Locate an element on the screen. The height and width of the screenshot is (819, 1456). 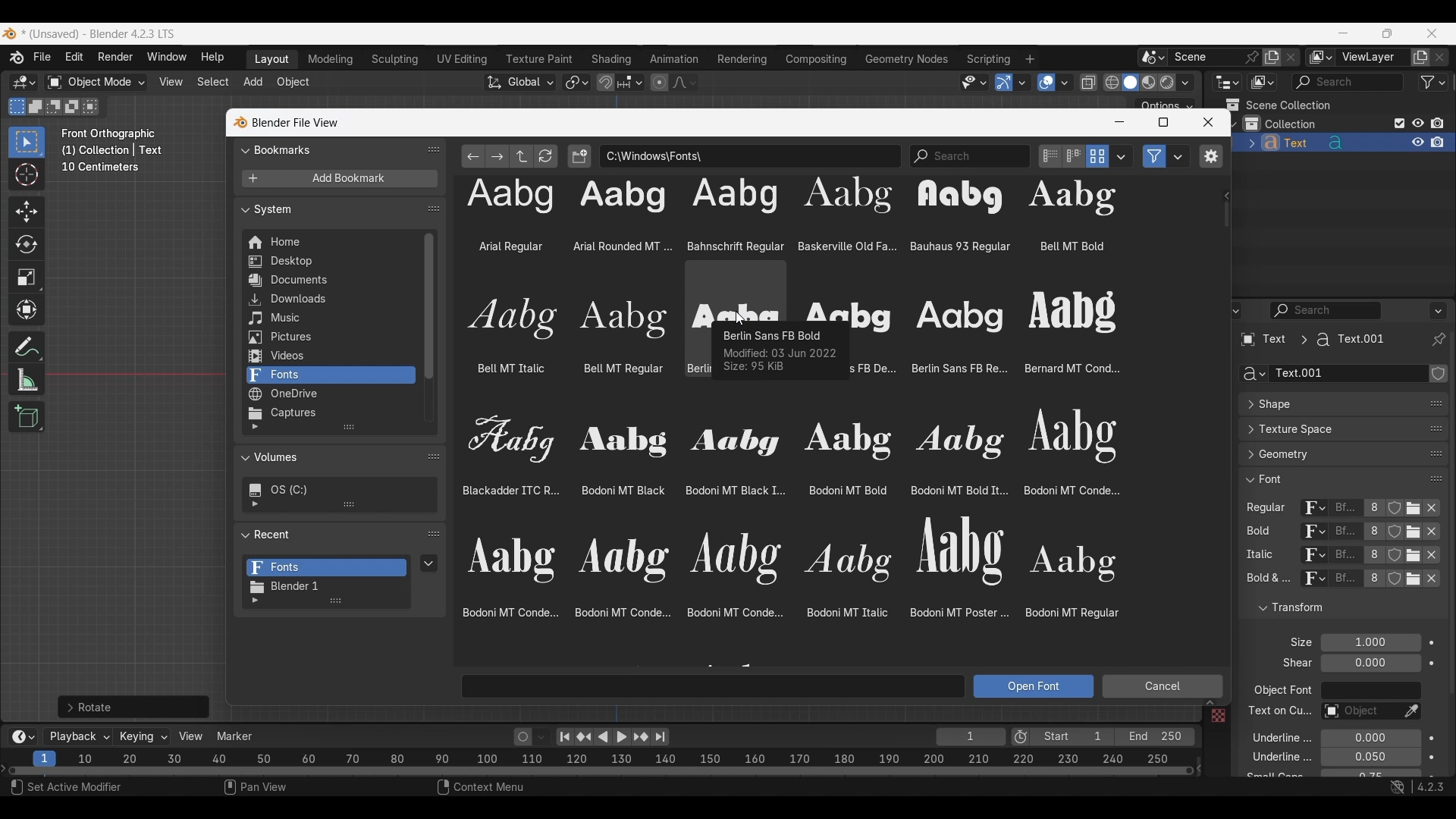
shortcut is located at coordinates (1414, 789).